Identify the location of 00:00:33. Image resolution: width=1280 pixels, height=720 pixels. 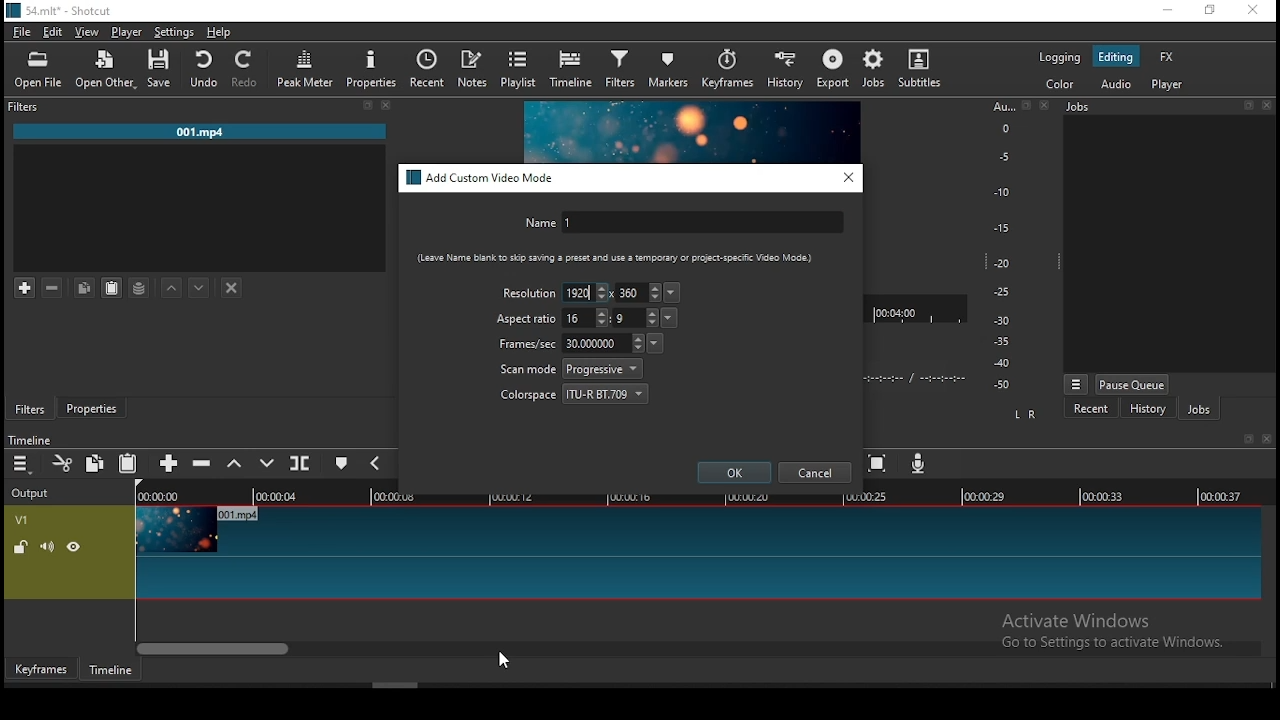
(1103, 495).